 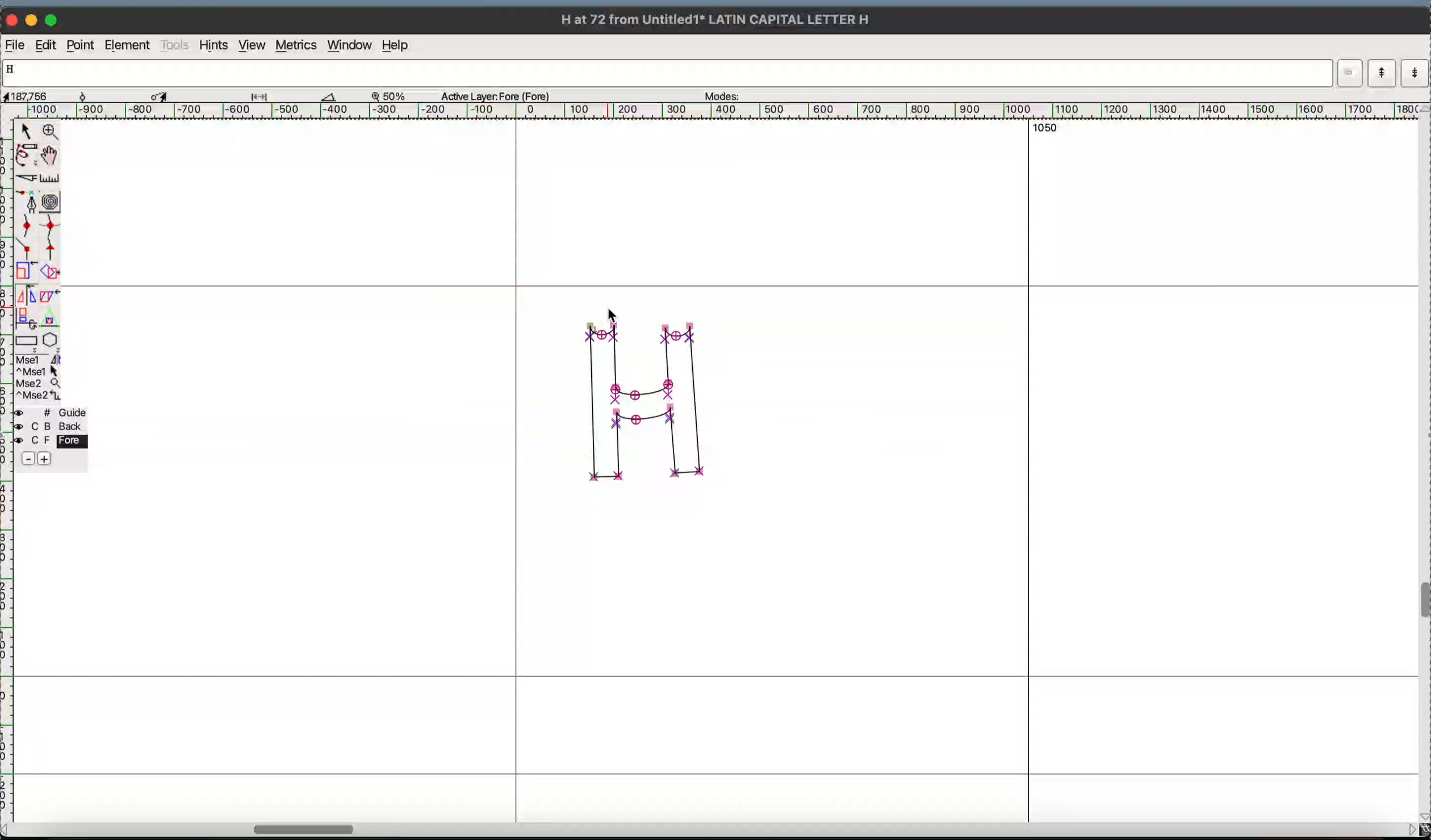 I want to click on rectangle/ellipse, so click(x=27, y=341).